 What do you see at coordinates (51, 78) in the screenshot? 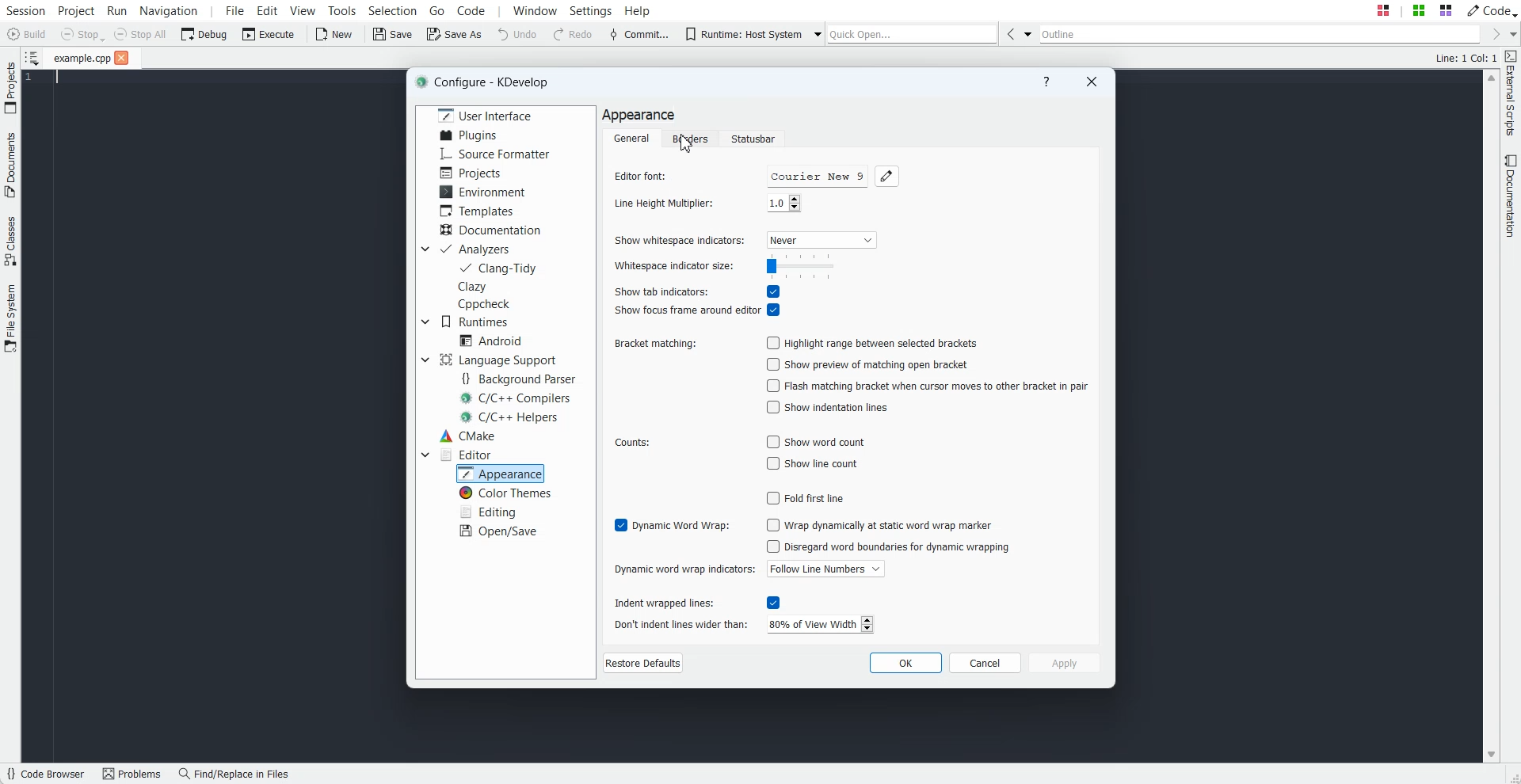
I see `Text Cursor` at bounding box center [51, 78].